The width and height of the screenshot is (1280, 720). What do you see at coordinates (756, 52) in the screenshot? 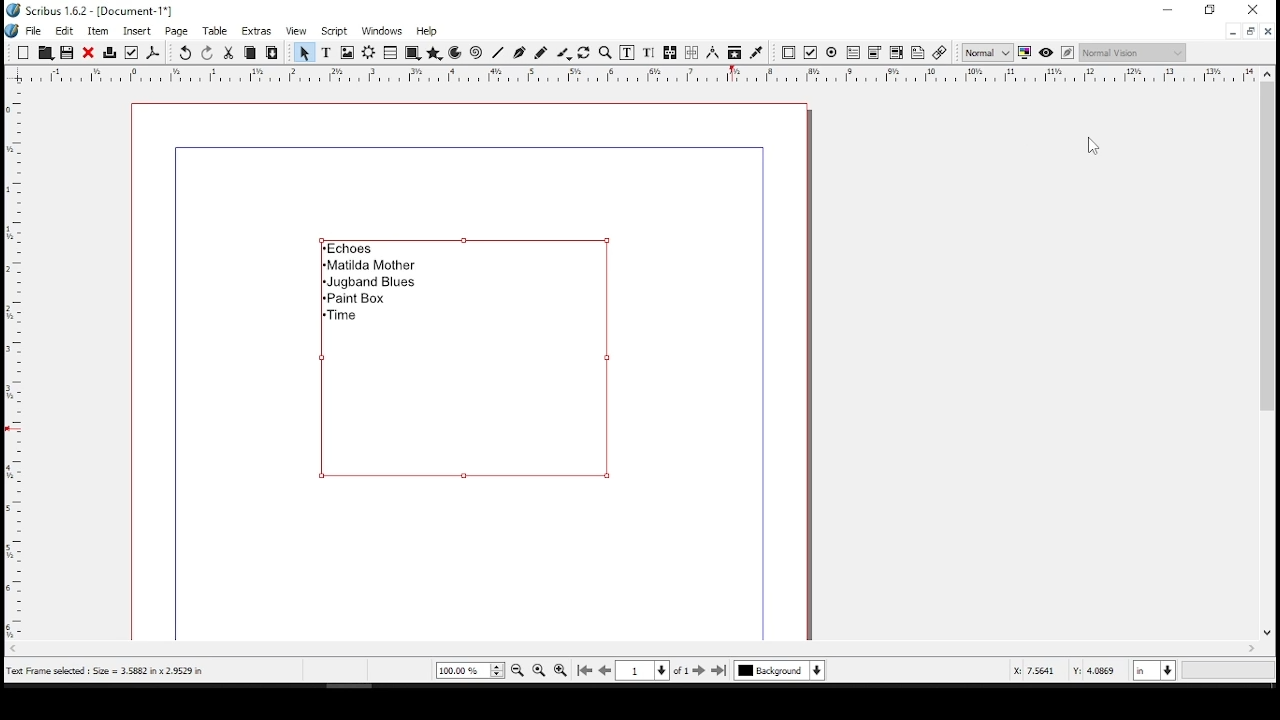
I see `eye dropper` at bounding box center [756, 52].